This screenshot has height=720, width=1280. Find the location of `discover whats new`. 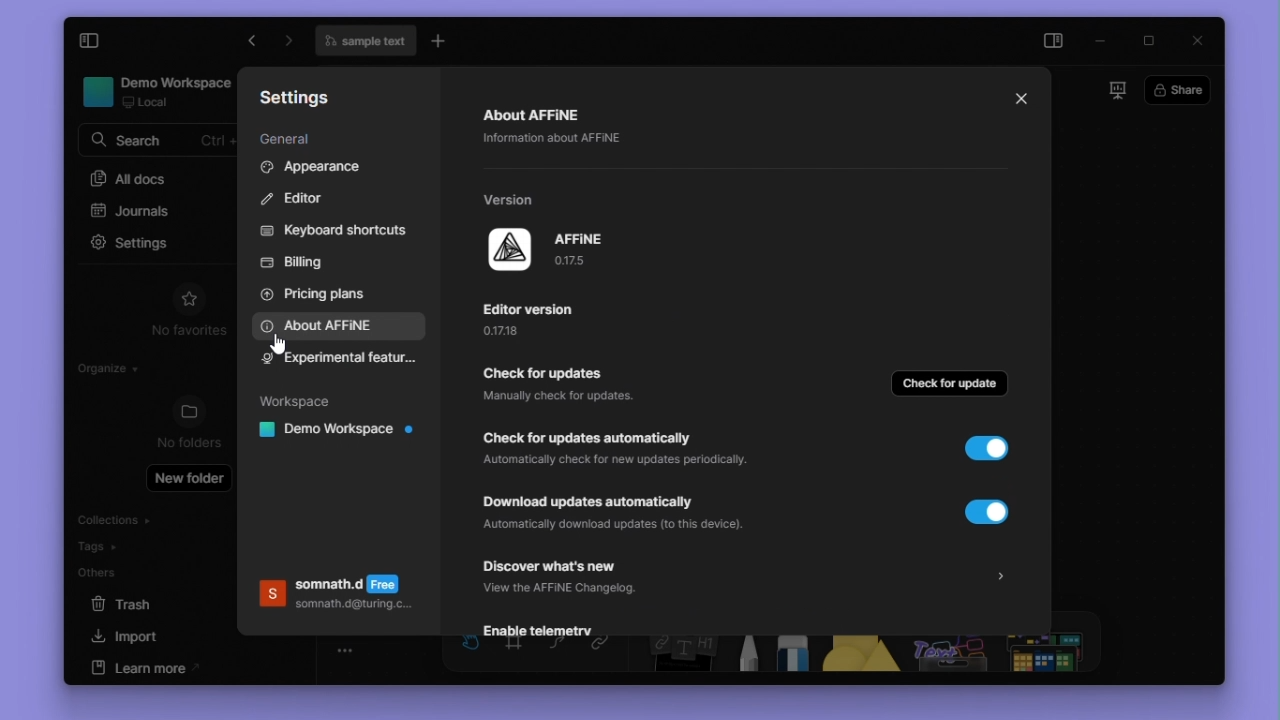

discover whats new is located at coordinates (579, 574).